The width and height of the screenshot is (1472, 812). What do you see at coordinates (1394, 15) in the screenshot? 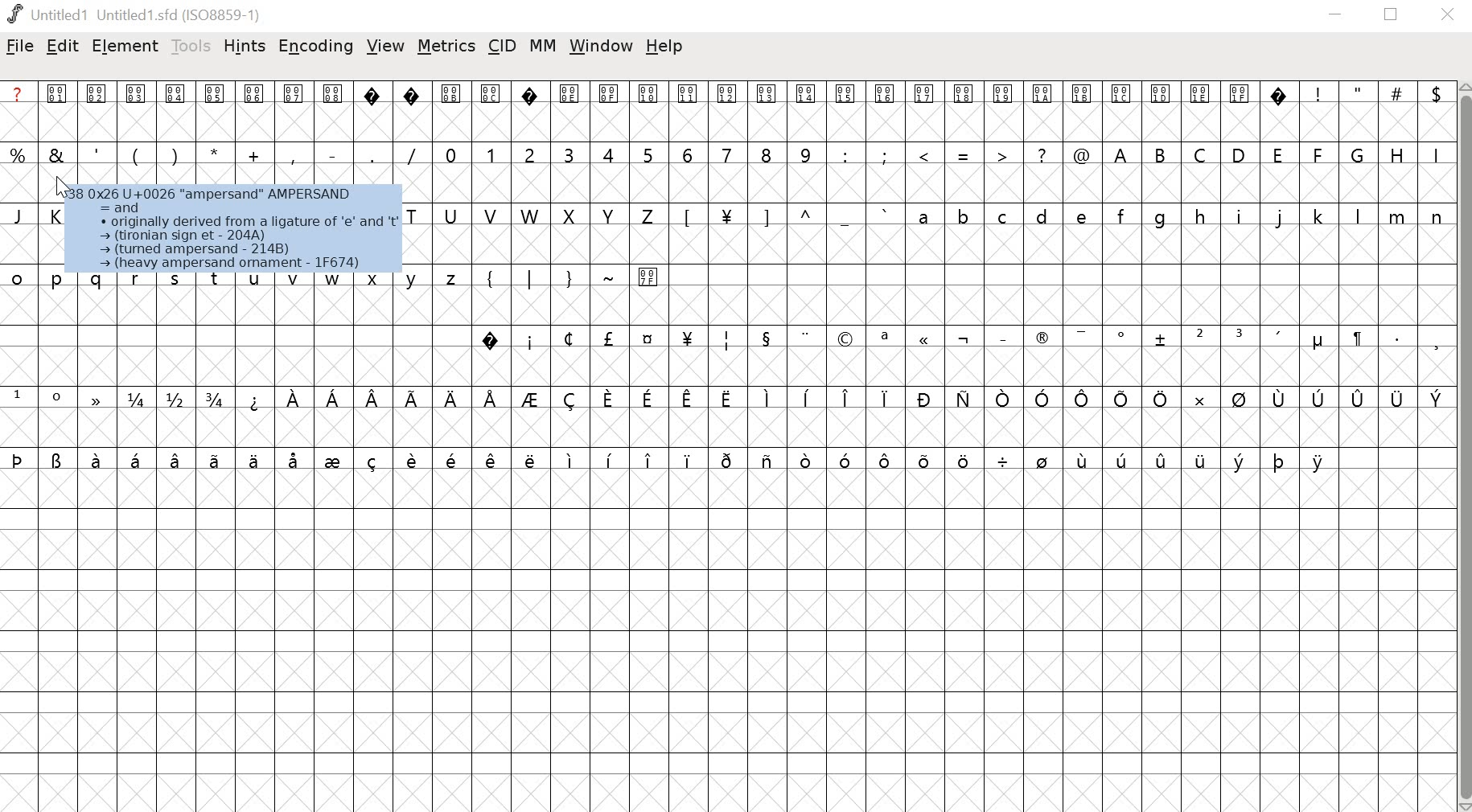
I see `maximize` at bounding box center [1394, 15].